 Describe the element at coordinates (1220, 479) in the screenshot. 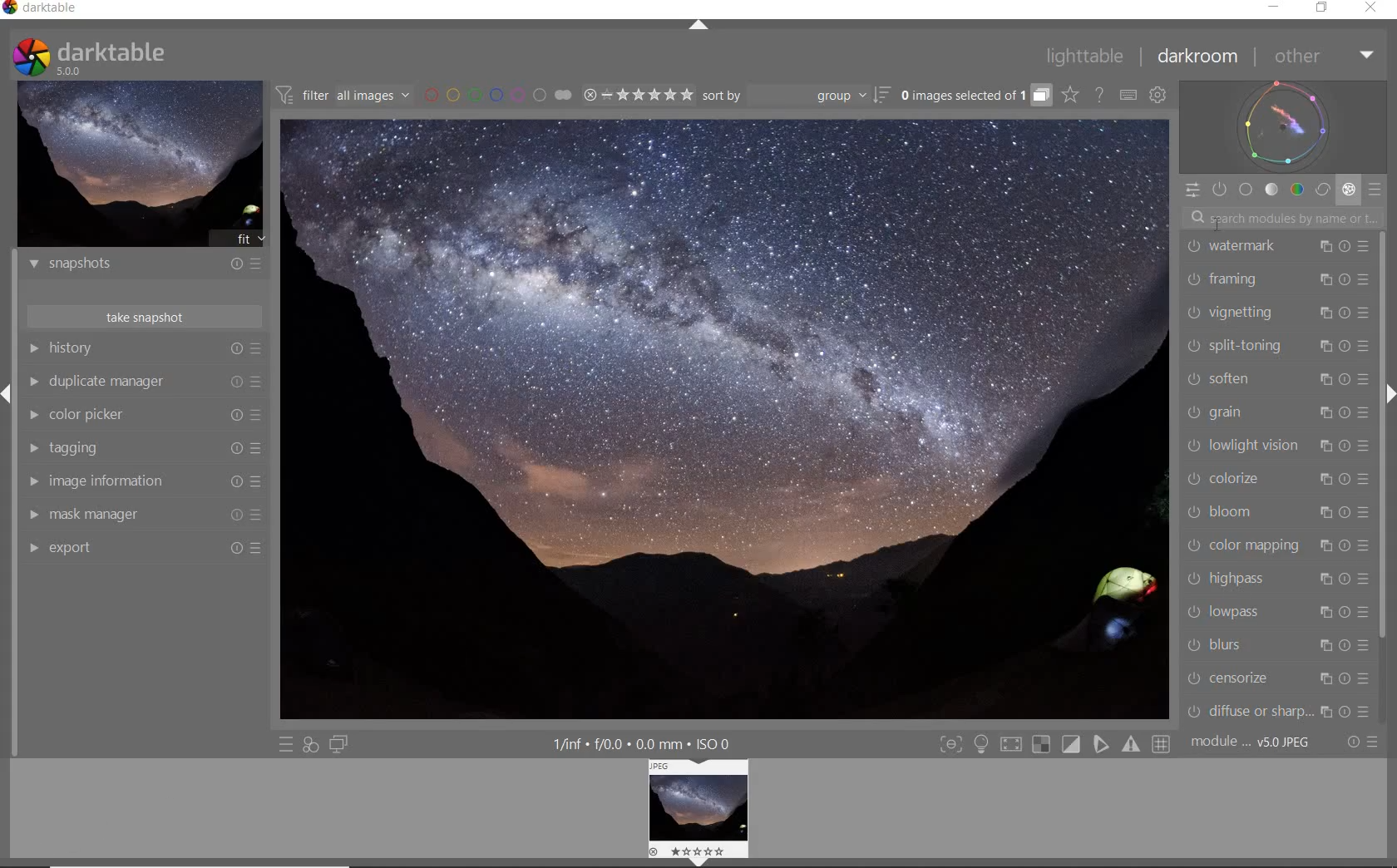

I see `COLORIZE` at that location.